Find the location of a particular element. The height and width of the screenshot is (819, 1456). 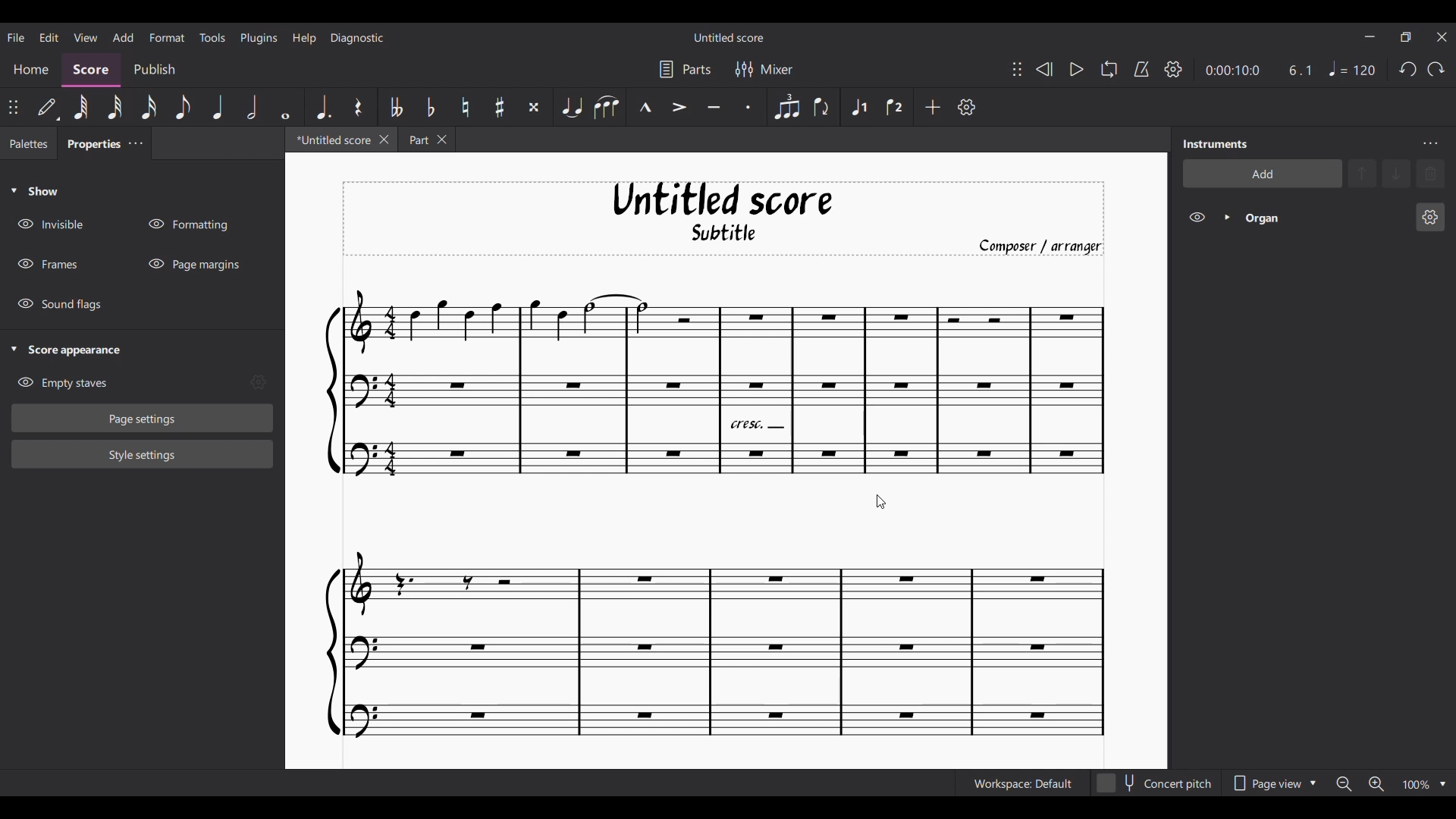

Format menu is located at coordinates (166, 37).